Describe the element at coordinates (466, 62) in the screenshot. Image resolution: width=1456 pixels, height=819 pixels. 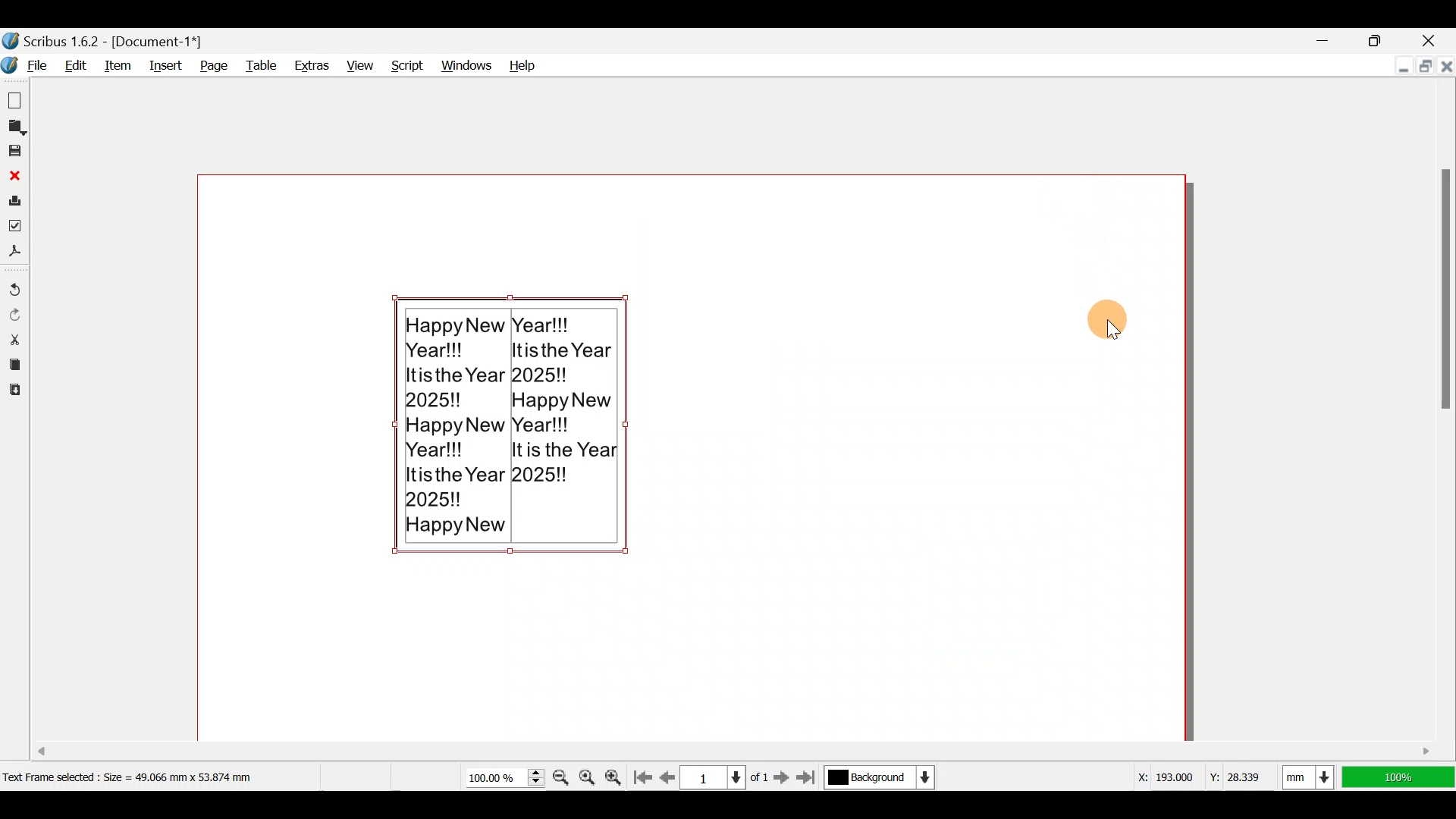
I see `Windows` at that location.